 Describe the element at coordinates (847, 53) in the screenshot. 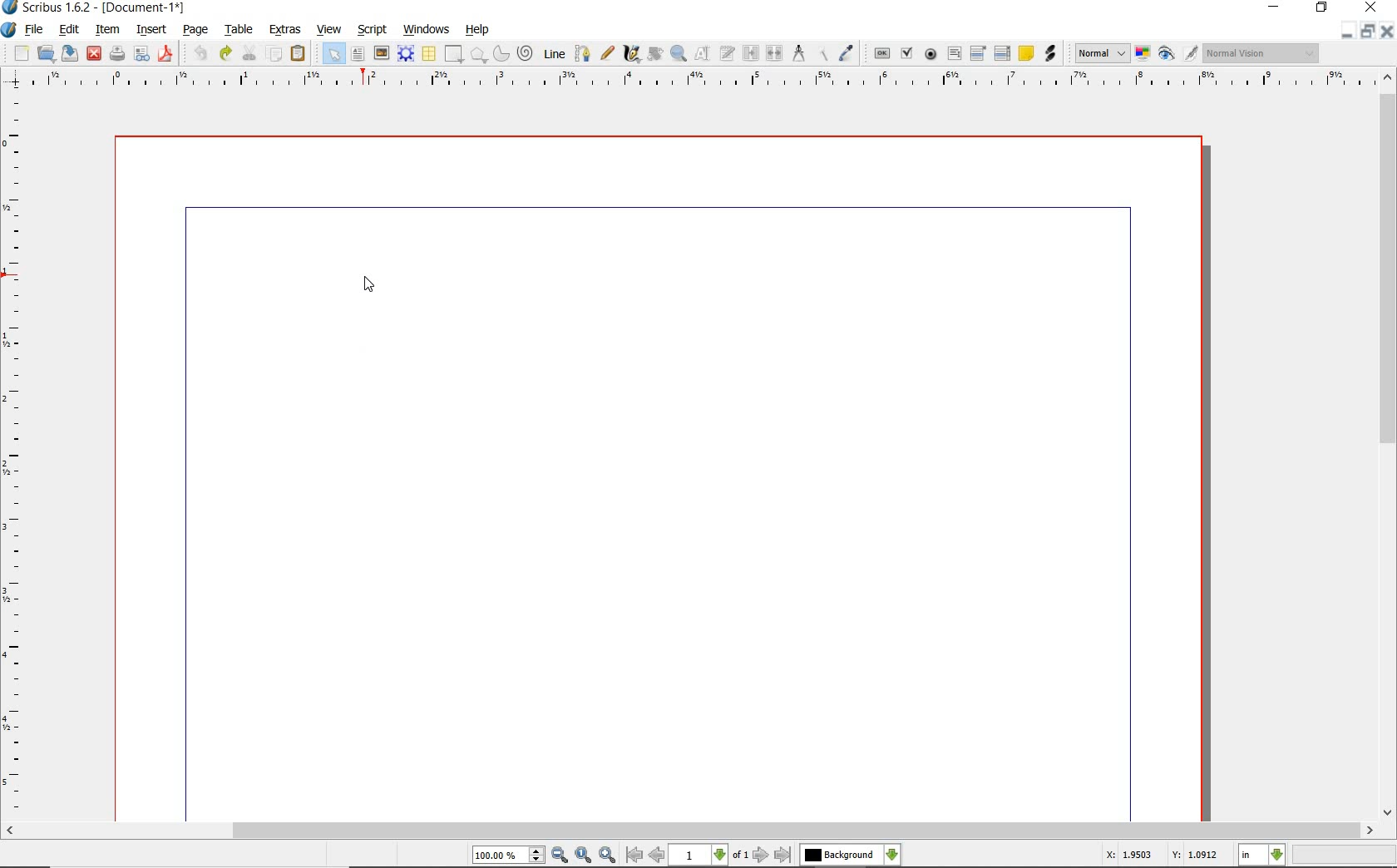

I see `eye dropper` at that location.